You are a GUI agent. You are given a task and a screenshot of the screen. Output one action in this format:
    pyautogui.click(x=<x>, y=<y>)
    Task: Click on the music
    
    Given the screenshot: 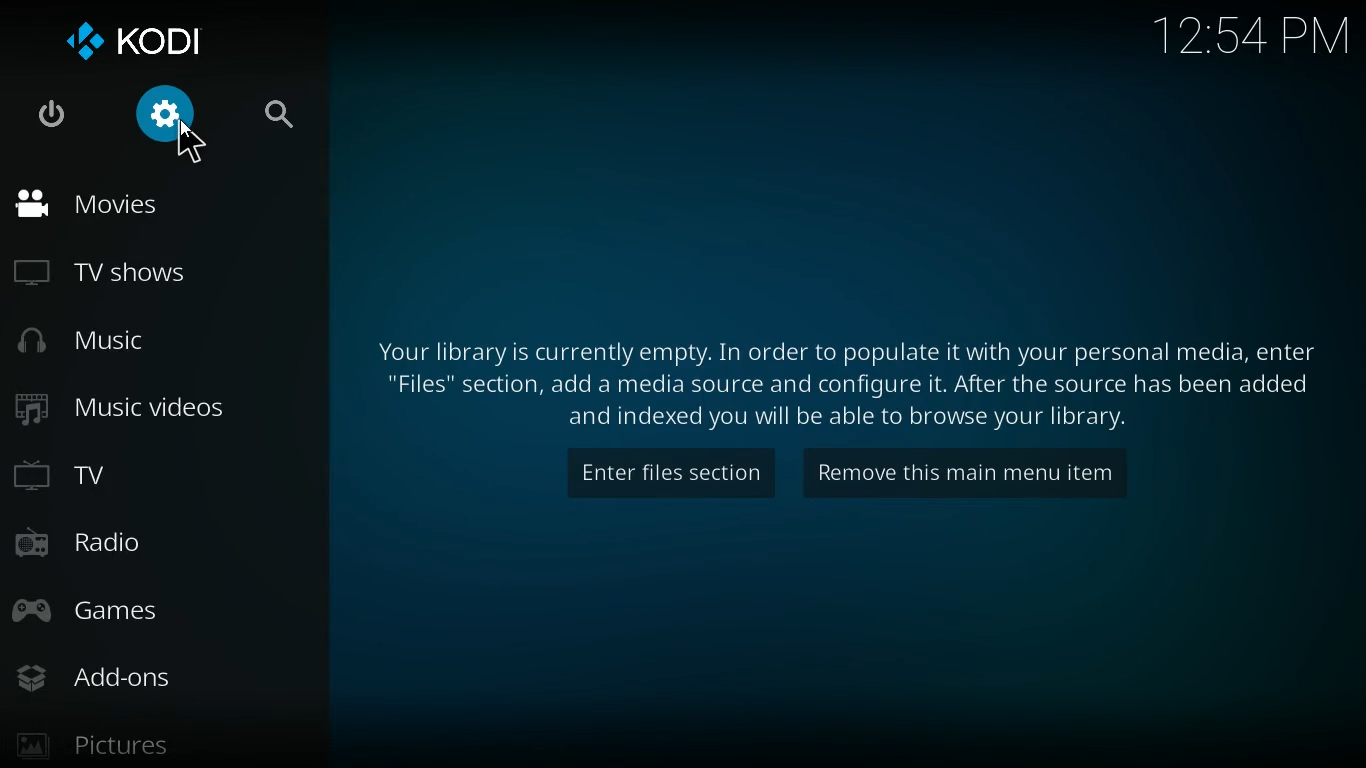 What is the action you would take?
    pyautogui.click(x=124, y=343)
    